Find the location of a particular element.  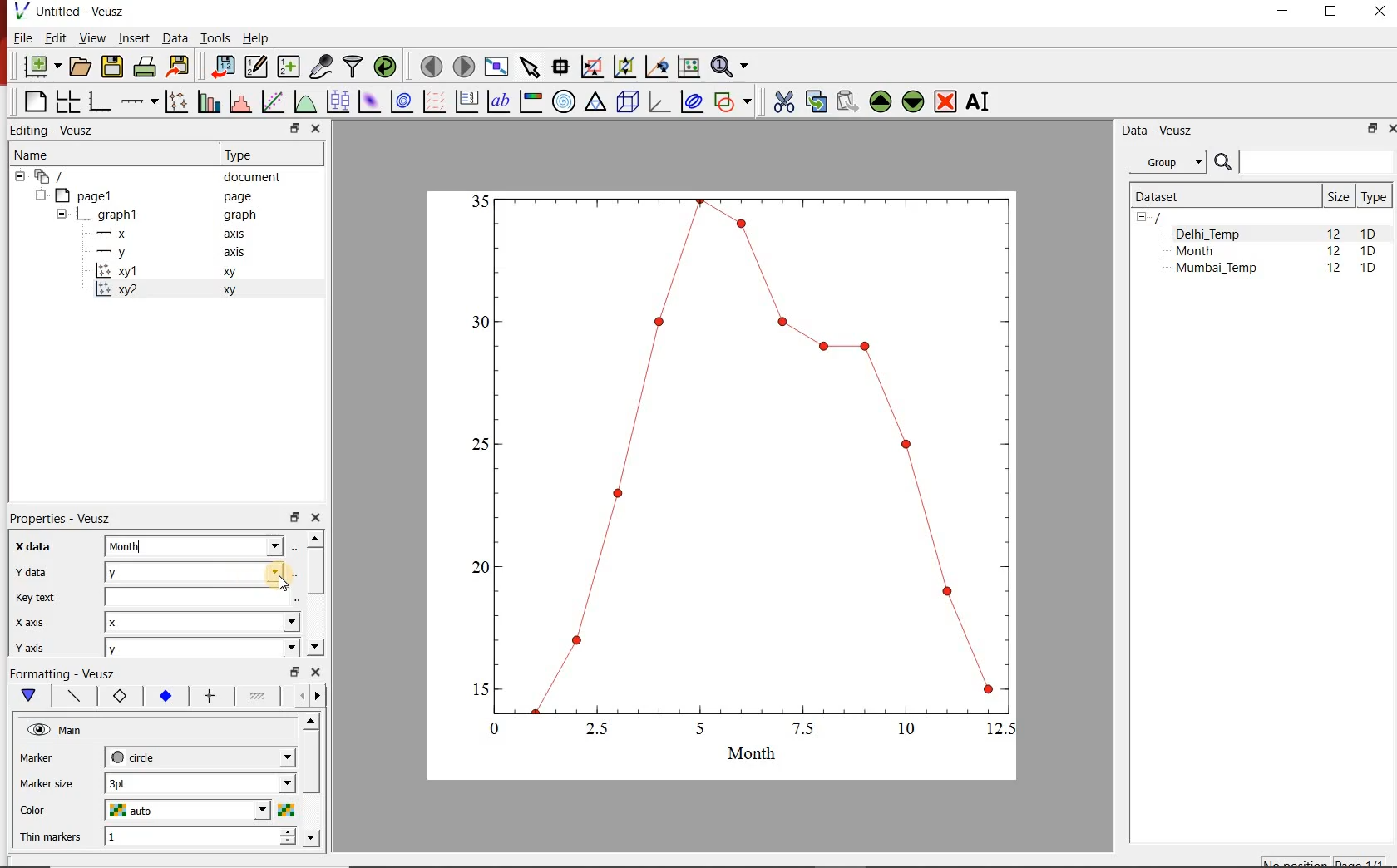

Editing - Veusz is located at coordinates (62, 129).